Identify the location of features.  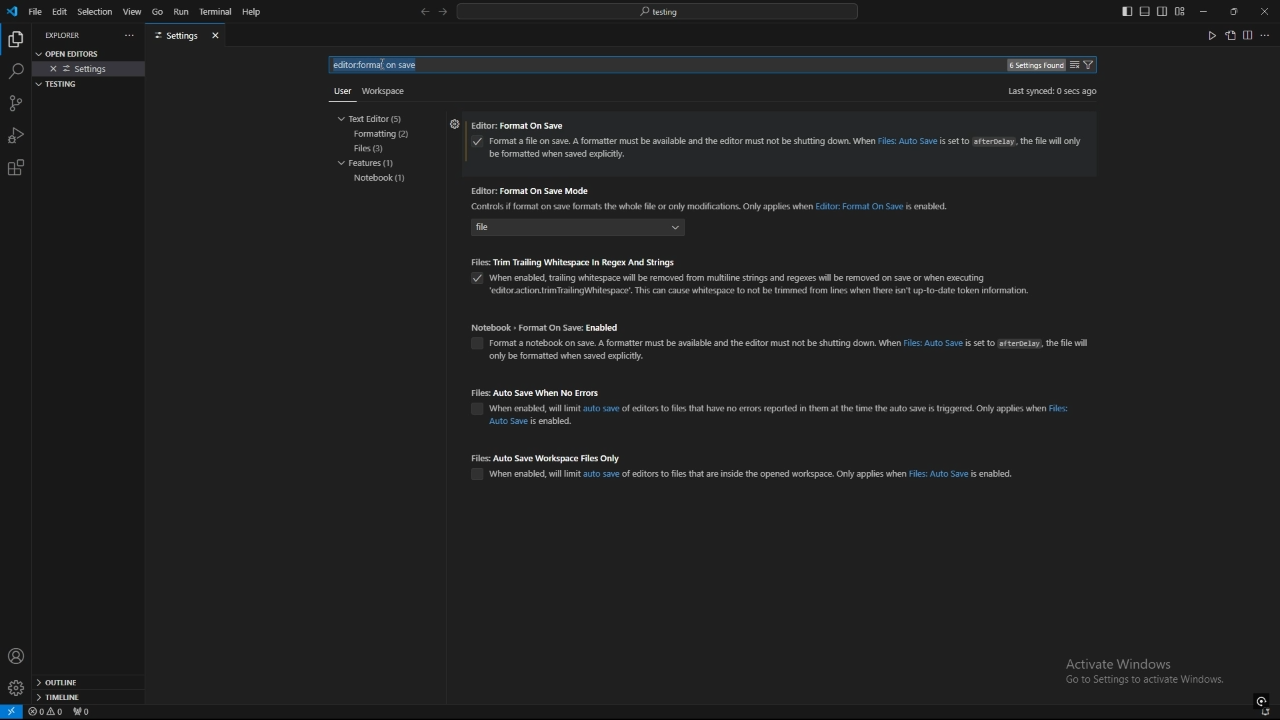
(372, 165).